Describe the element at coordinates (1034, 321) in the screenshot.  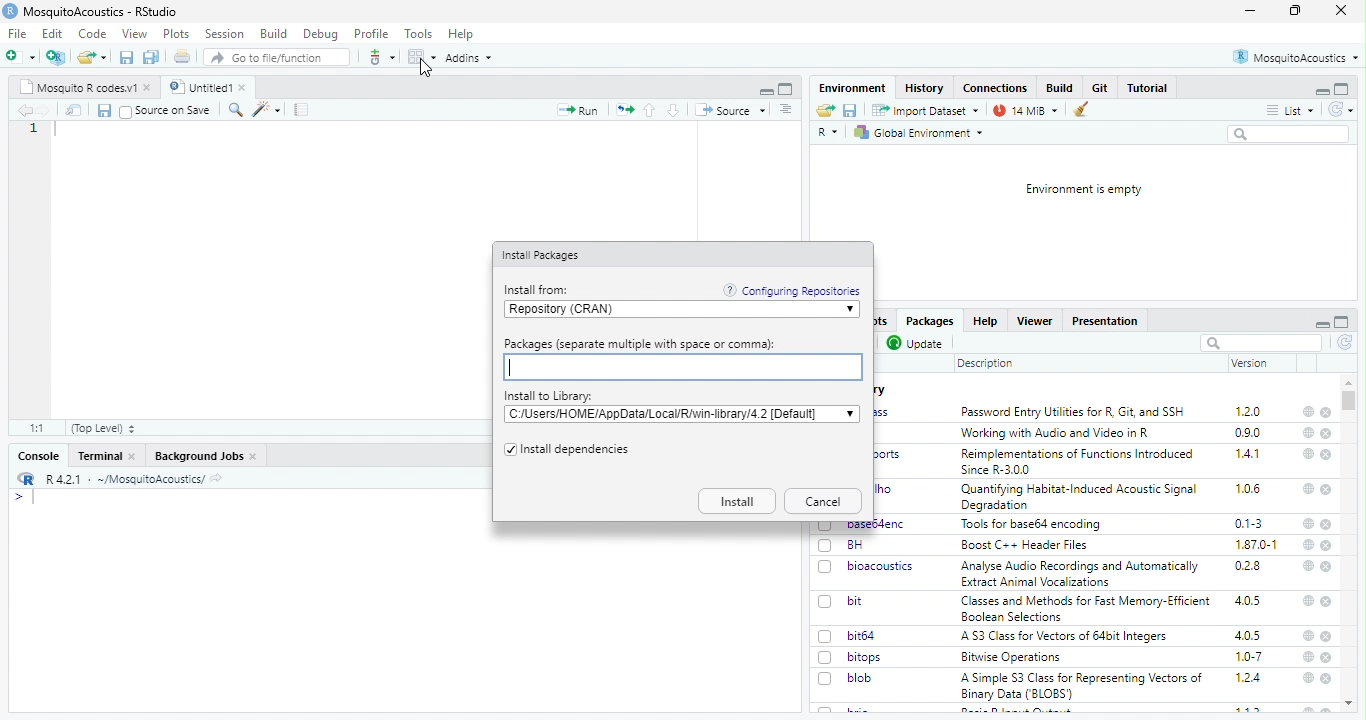
I see `Viewer` at that location.